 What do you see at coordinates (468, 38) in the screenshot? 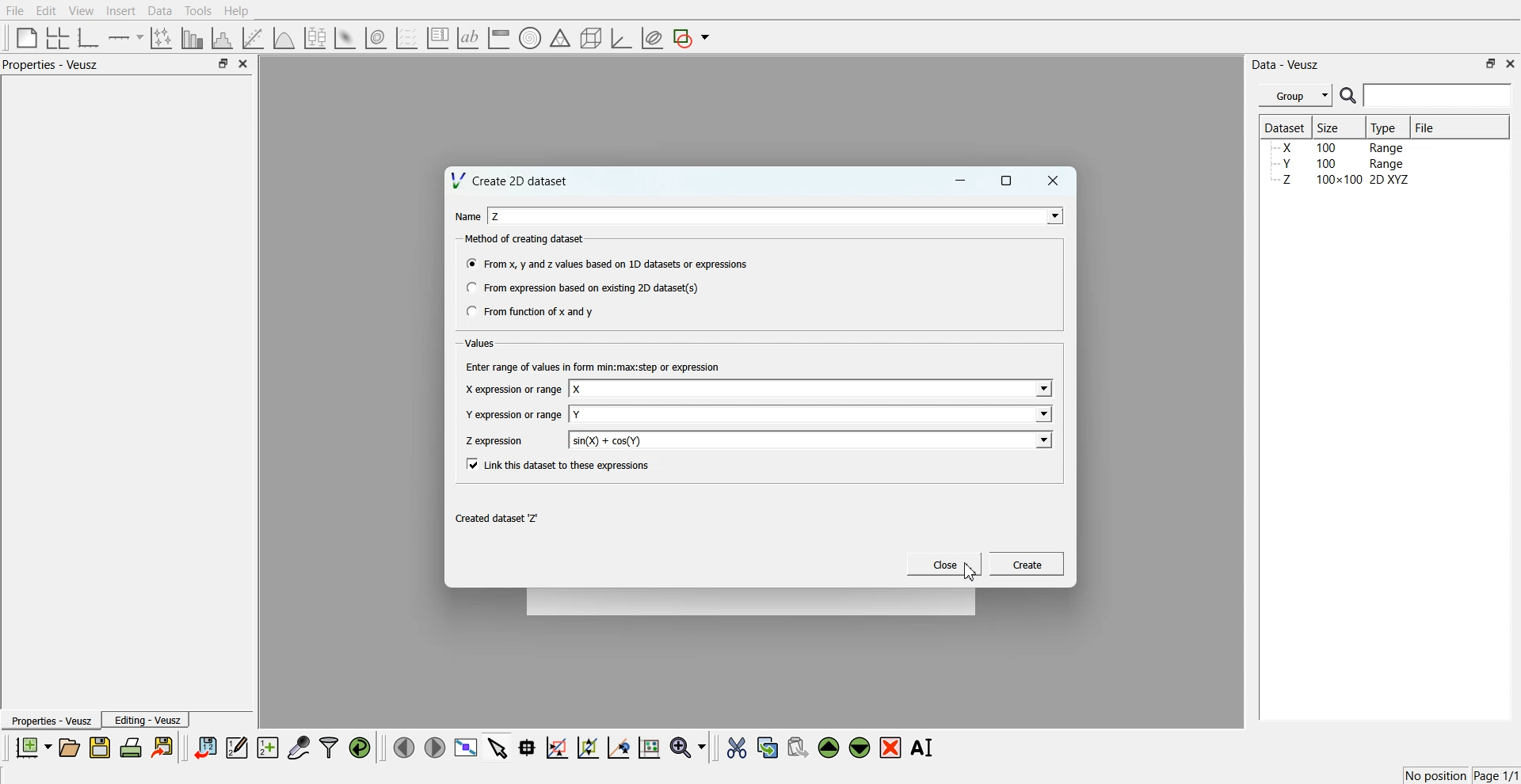
I see `Text label` at bounding box center [468, 38].